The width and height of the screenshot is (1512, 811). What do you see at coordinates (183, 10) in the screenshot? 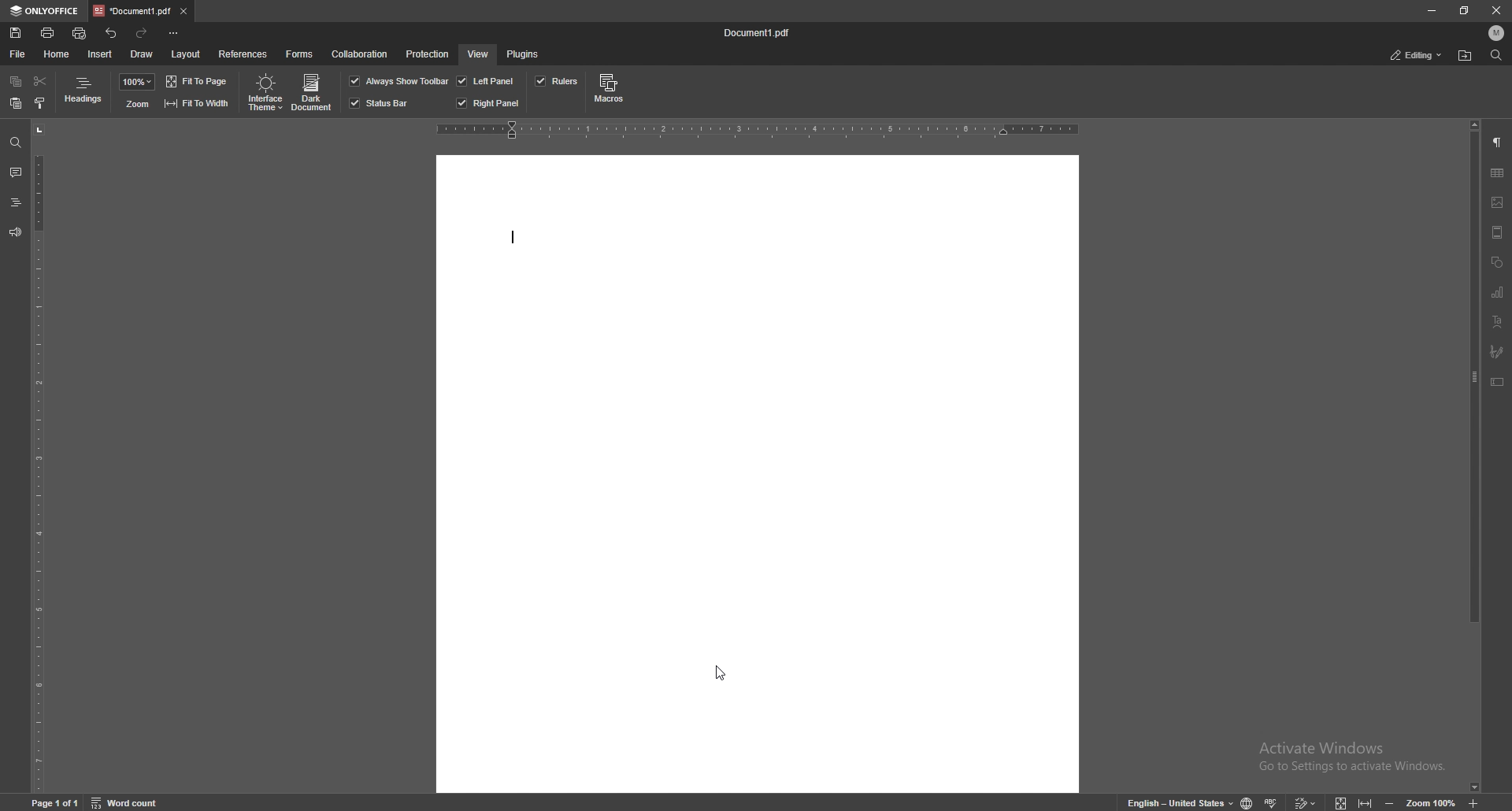
I see `close tab` at bounding box center [183, 10].